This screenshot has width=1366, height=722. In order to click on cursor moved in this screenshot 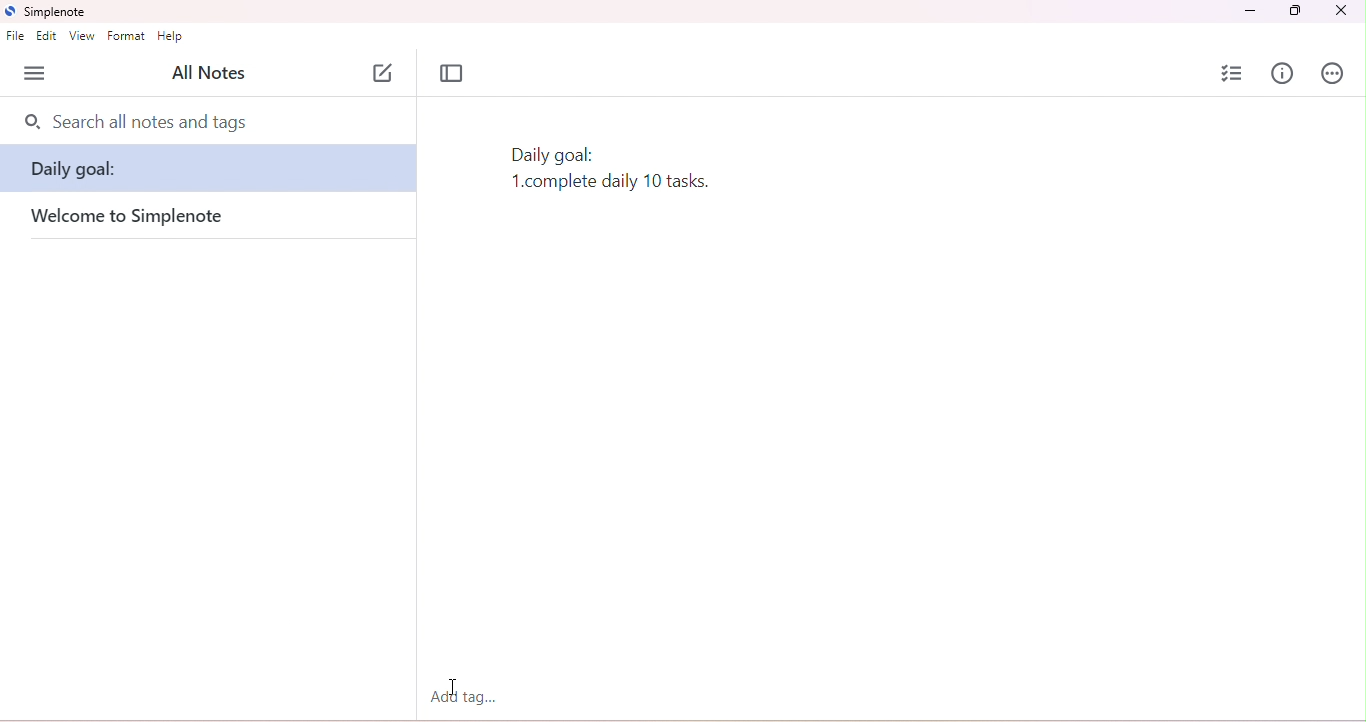, I will do `click(455, 687)`.